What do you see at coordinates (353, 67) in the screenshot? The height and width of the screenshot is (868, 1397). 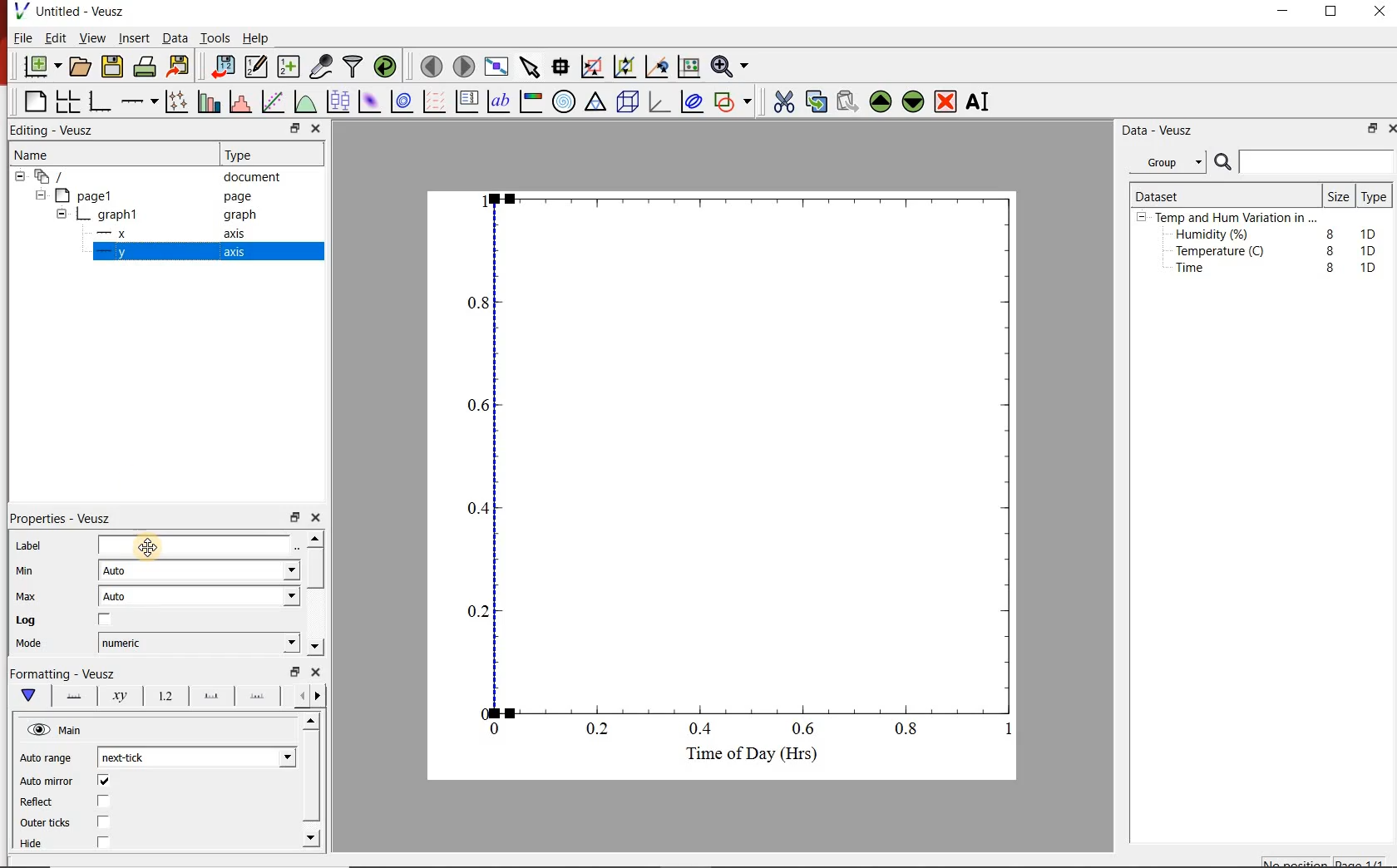 I see `filter data` at bounding box center [353, 67].